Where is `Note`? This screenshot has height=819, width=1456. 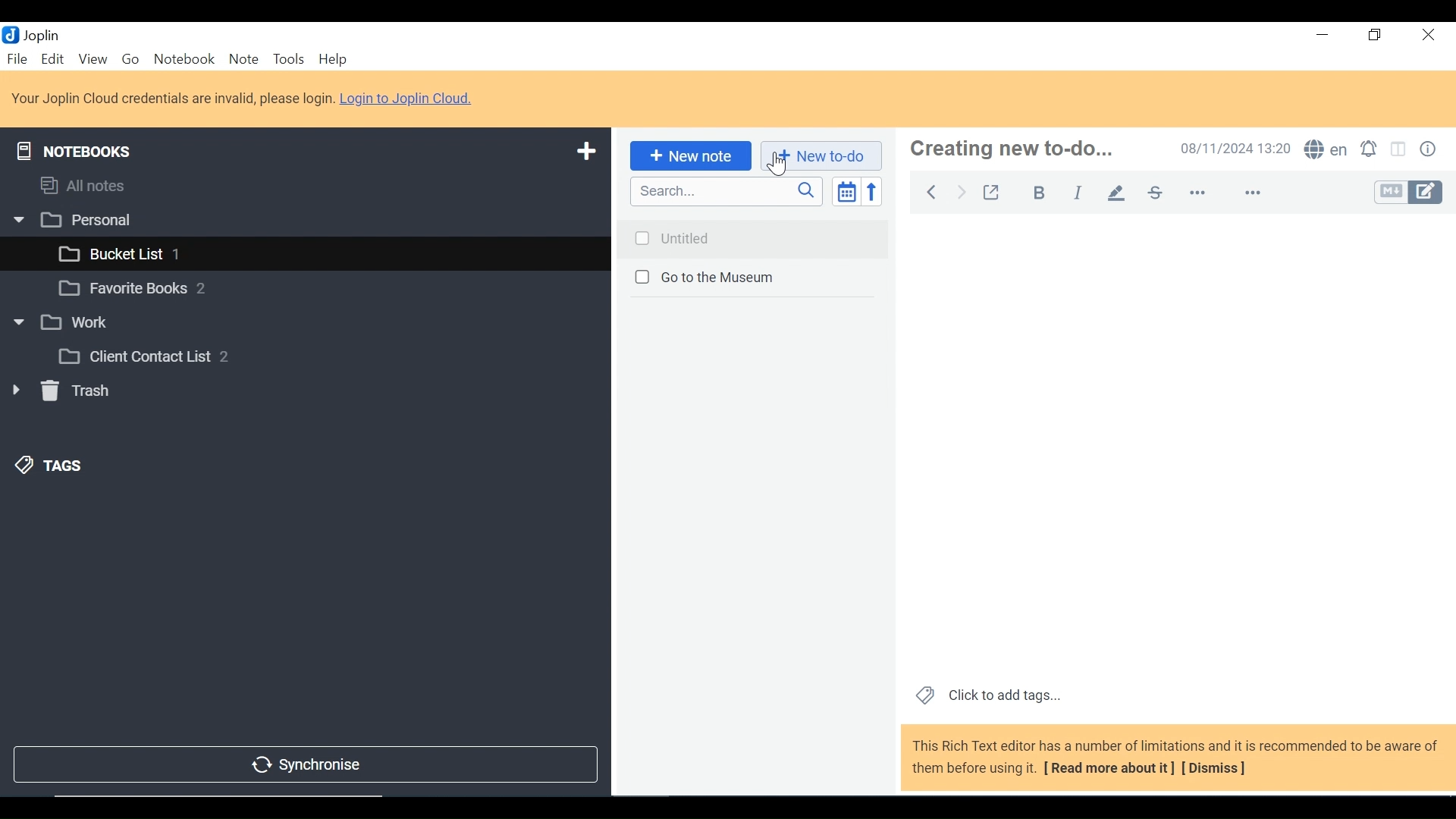 Note is located at coordinates (243, 60).